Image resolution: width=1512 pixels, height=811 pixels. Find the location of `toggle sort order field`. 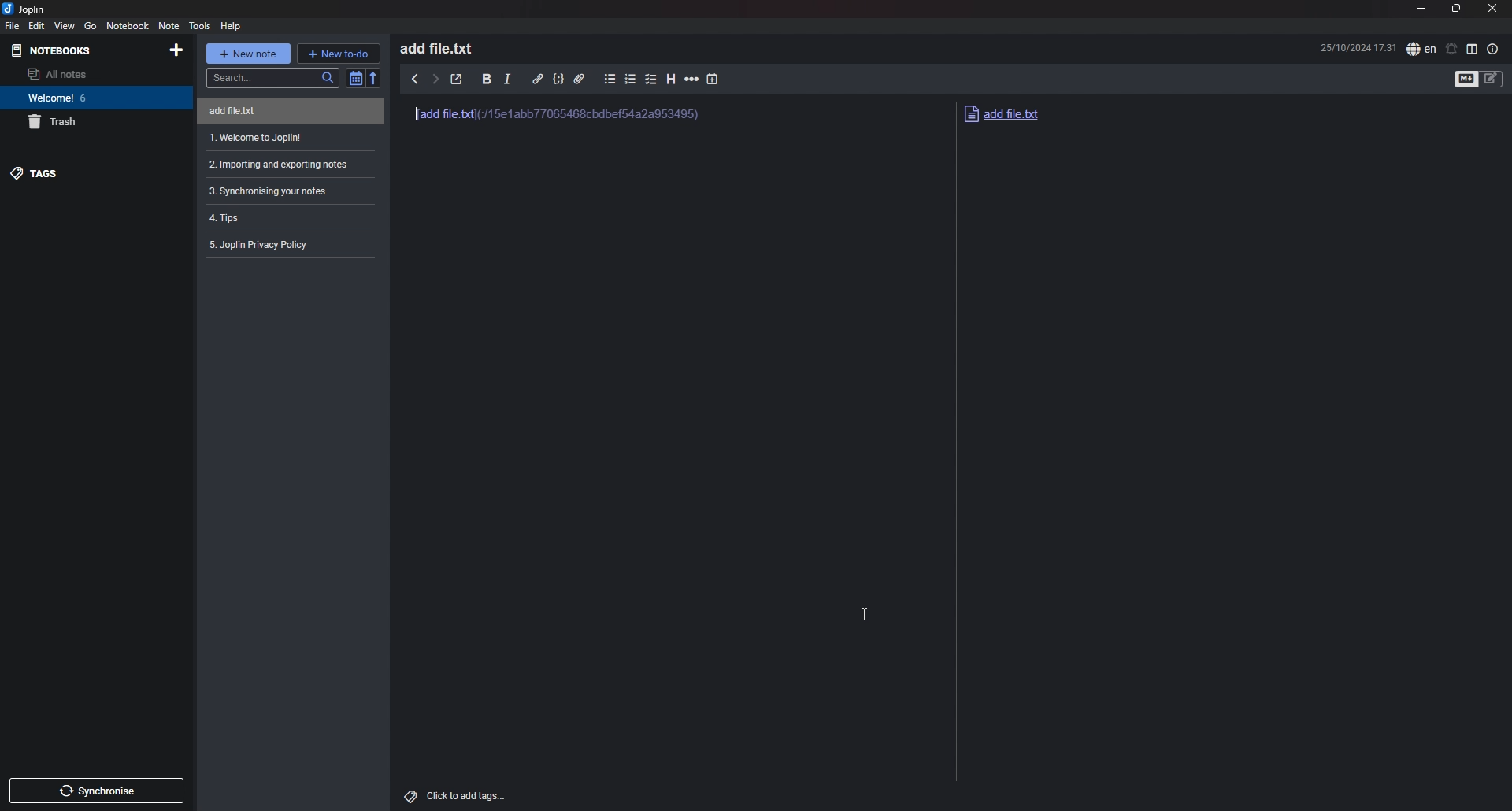

toggle sort order field is located at coordinates (355, 78).